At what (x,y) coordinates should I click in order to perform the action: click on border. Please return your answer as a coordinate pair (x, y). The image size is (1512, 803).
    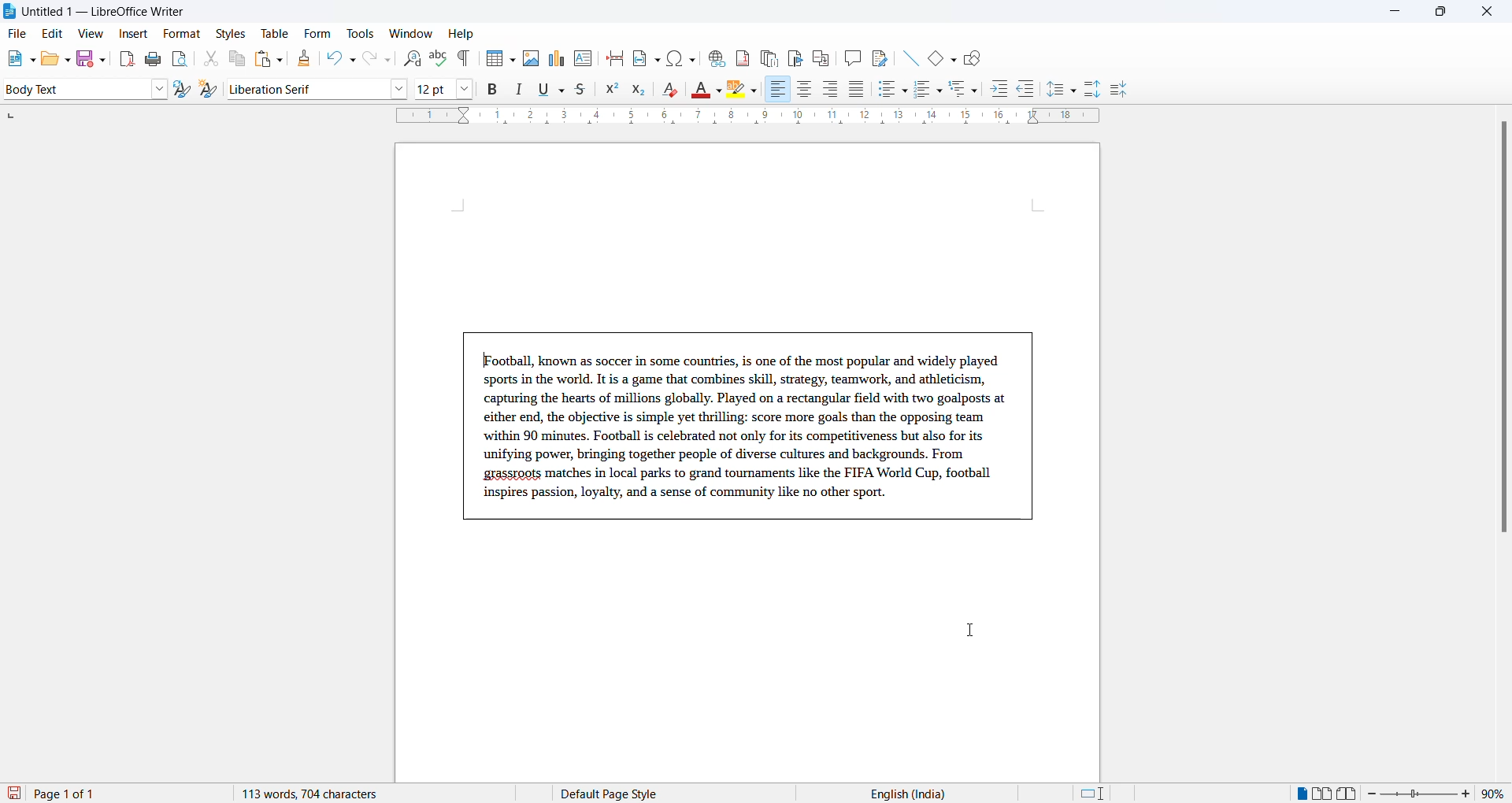
    Looking at the image, I should click on (748, 426).